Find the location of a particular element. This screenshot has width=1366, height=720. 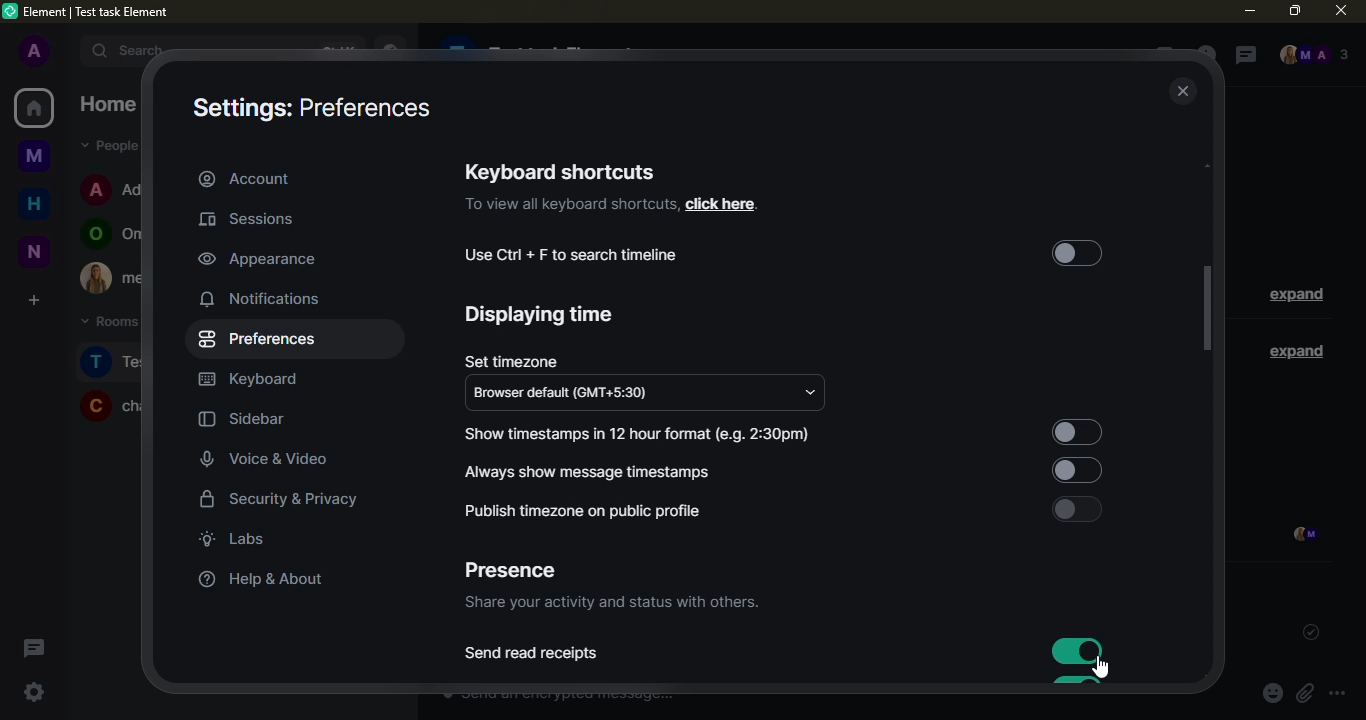

account is located at coordinates (245, 178).